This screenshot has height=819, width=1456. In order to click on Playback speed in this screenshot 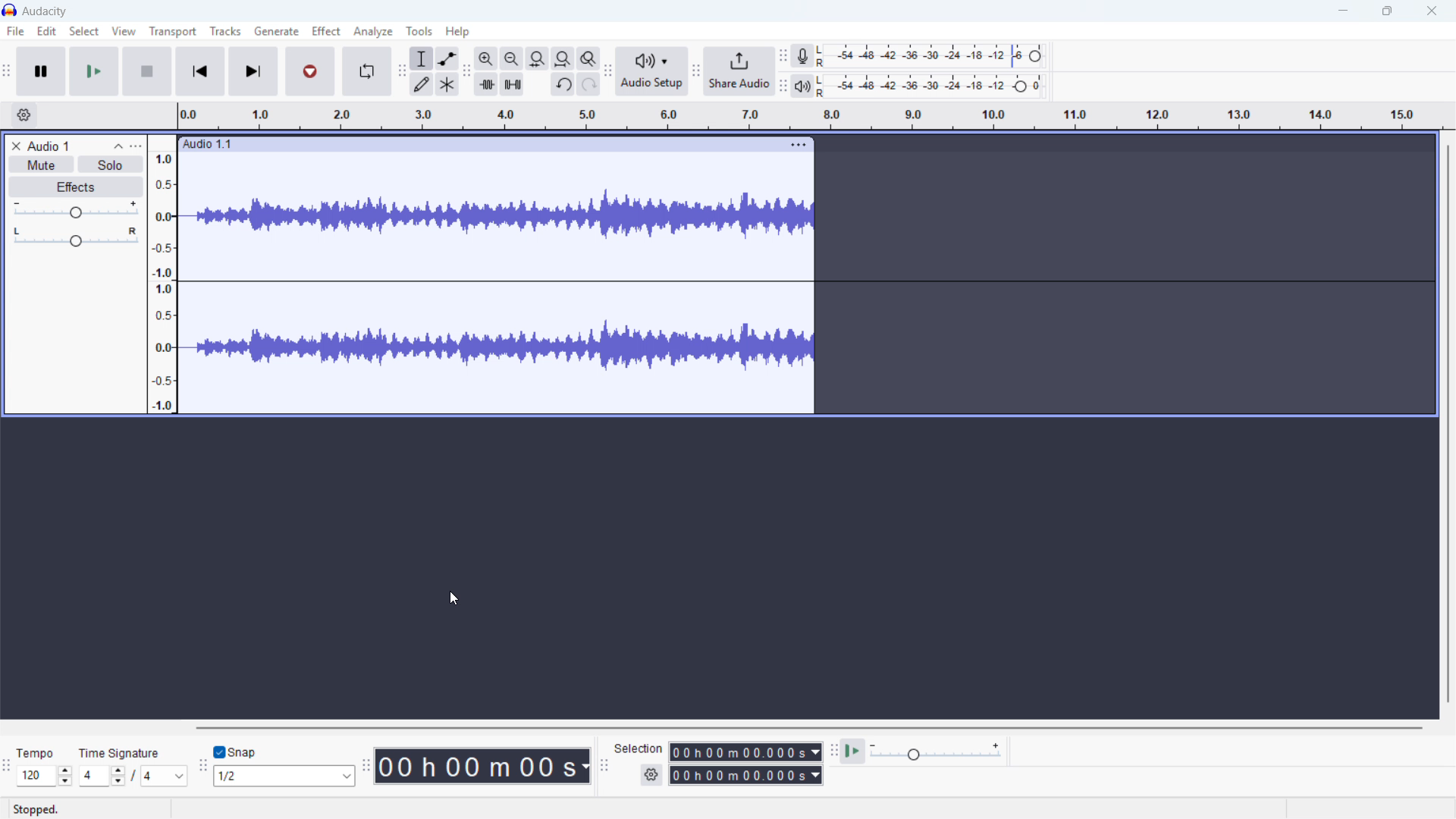, I will do `click(935, 752)`.